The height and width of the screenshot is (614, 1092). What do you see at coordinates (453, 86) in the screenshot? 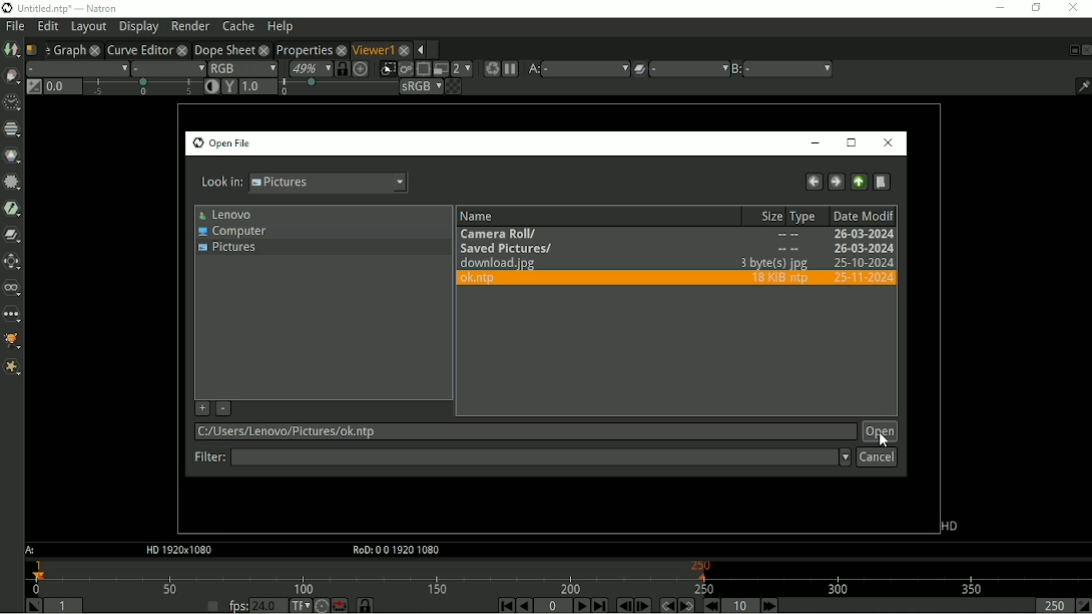
I see `Checkerboard` at bounding box center [453, 86].